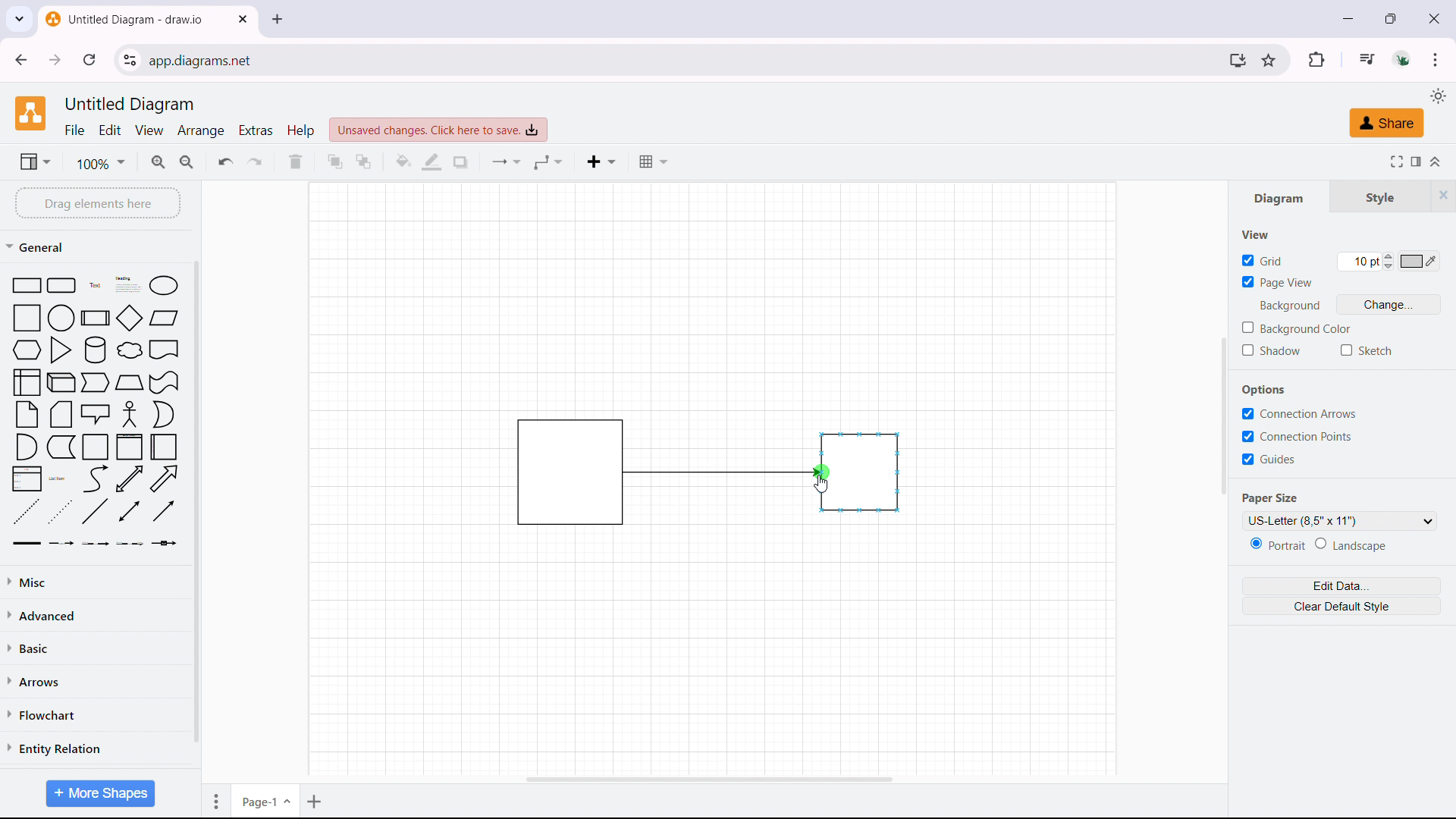 The height and width of the screenshot is (819, 1456). What do you see at coordinates (1237, 60) in the screenshot?
I see `install` at bounding box center [1237, 60].